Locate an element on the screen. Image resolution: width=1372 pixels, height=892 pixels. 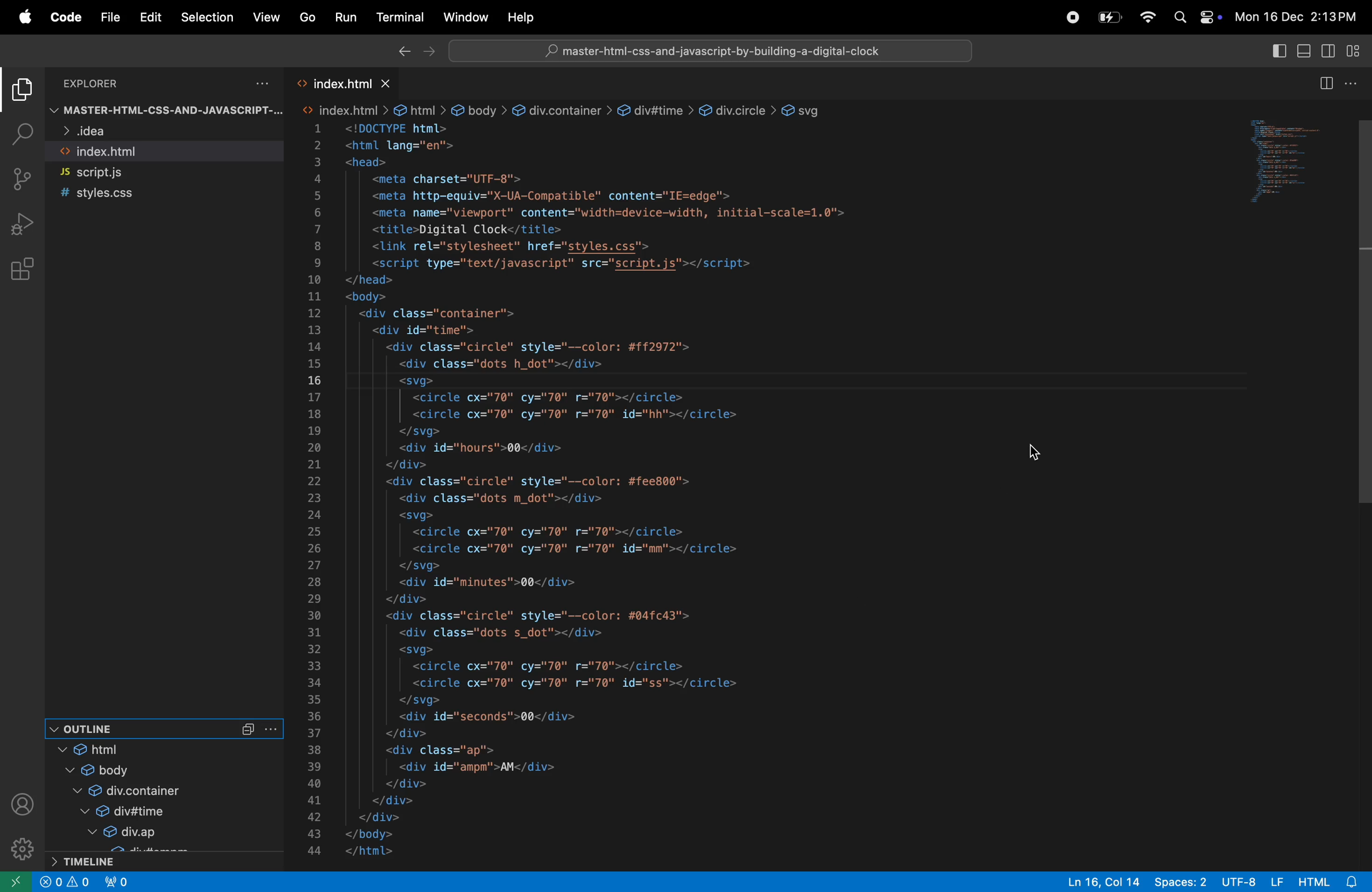
record is located at coordinates (1068, 17).